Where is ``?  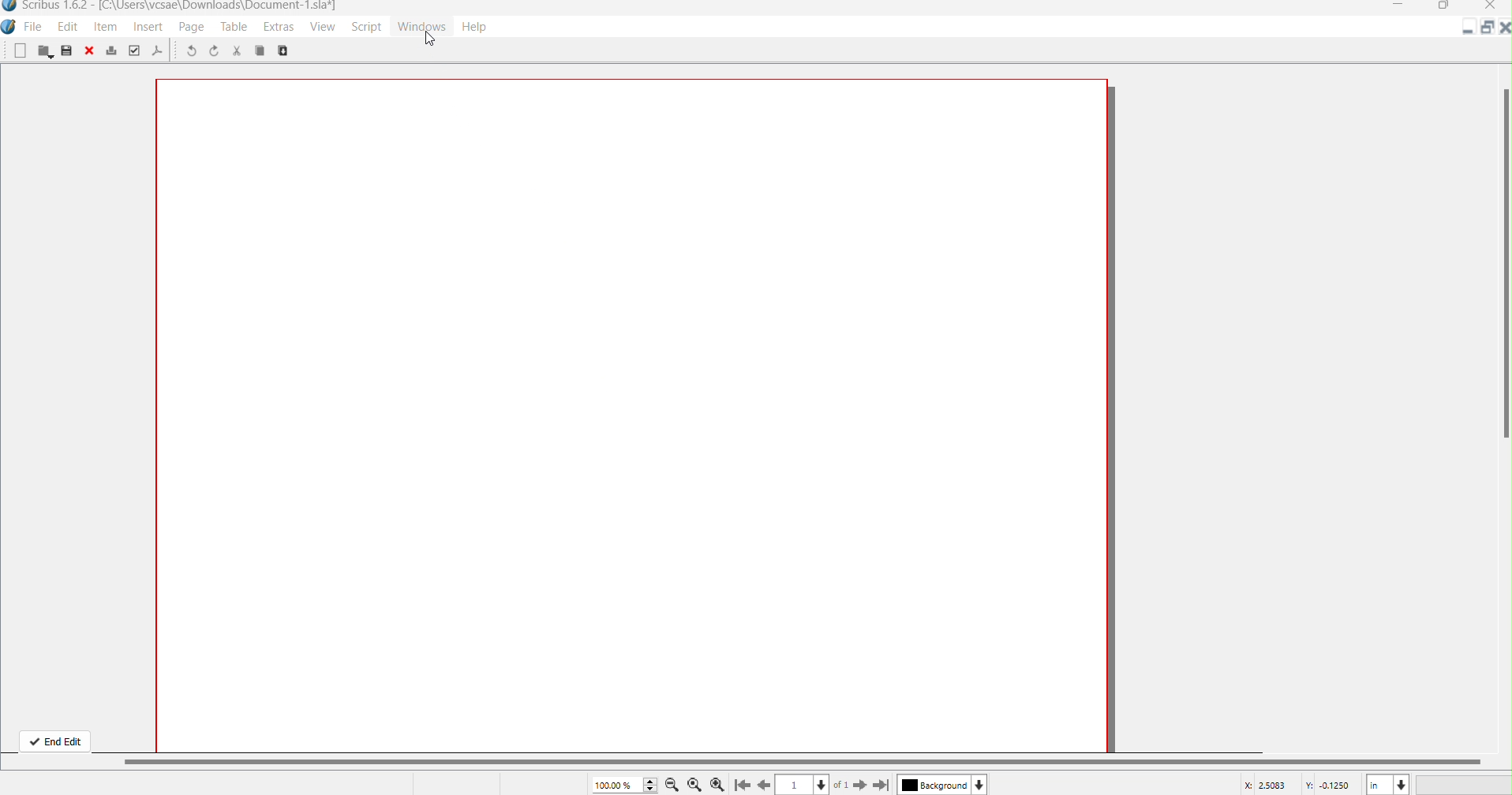
 is located at coordinates (68, 50).